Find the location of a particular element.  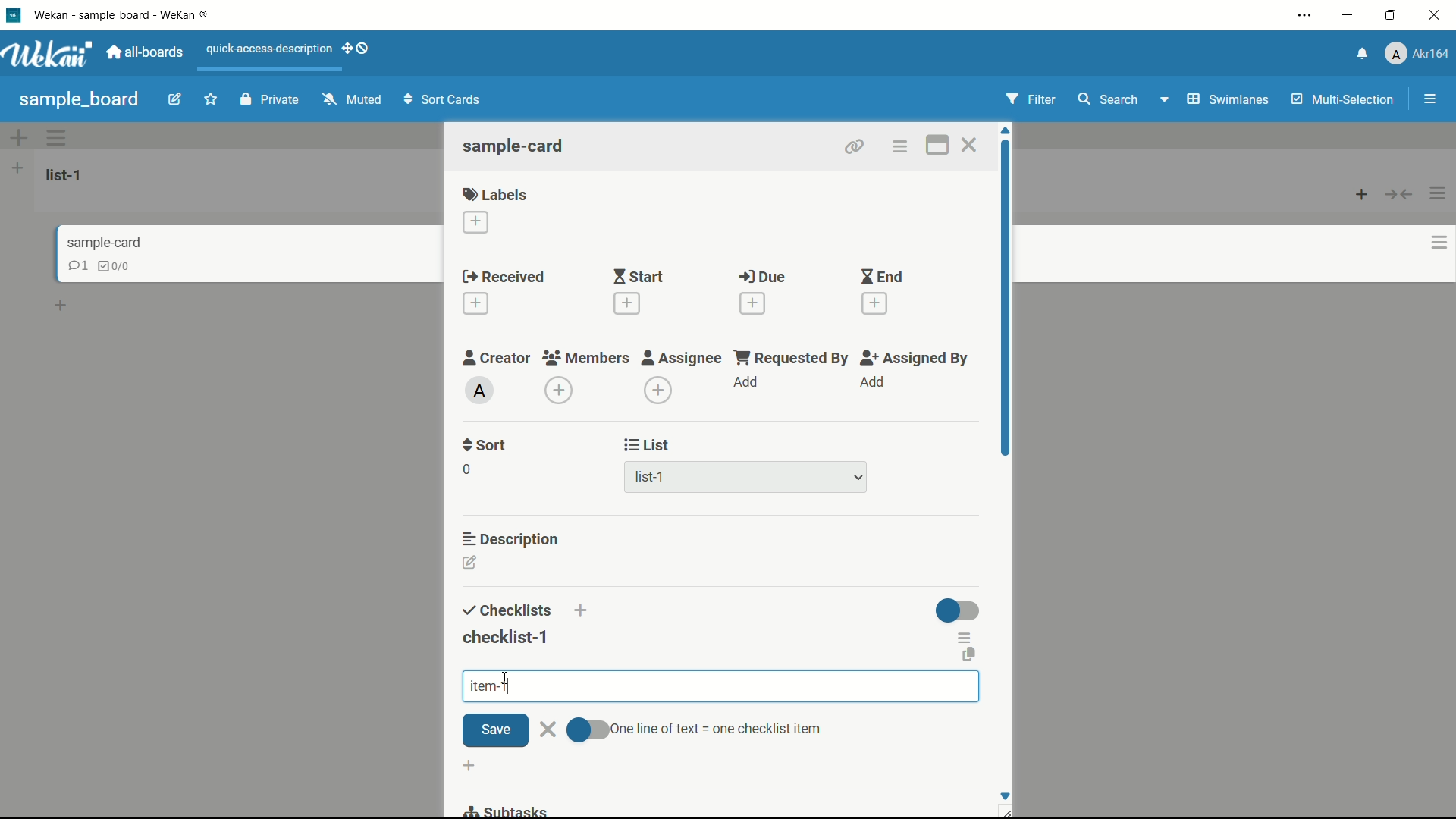

Private is located at coordinates (266, 99).